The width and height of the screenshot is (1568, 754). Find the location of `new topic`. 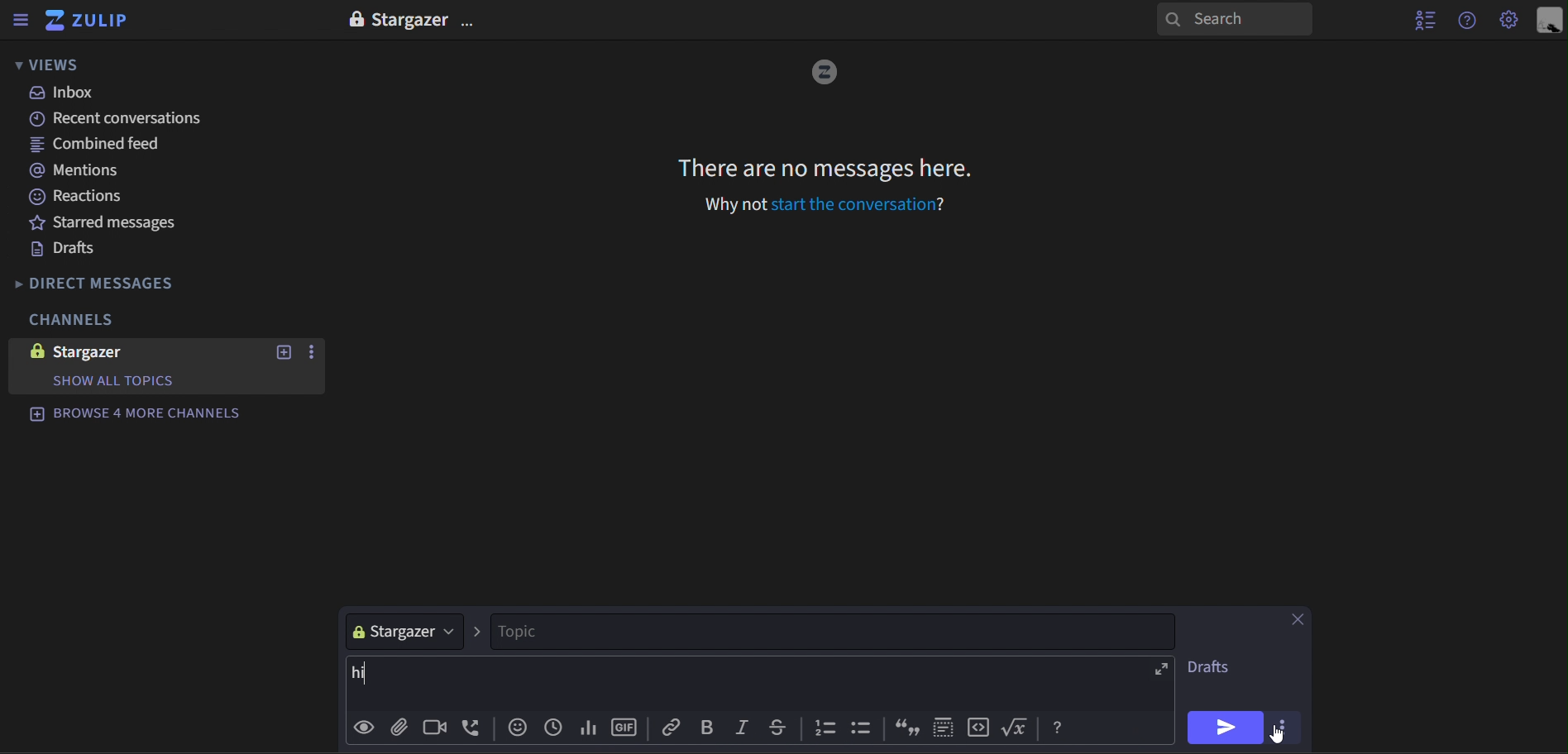

new topic is located at coordinates (281, 355).